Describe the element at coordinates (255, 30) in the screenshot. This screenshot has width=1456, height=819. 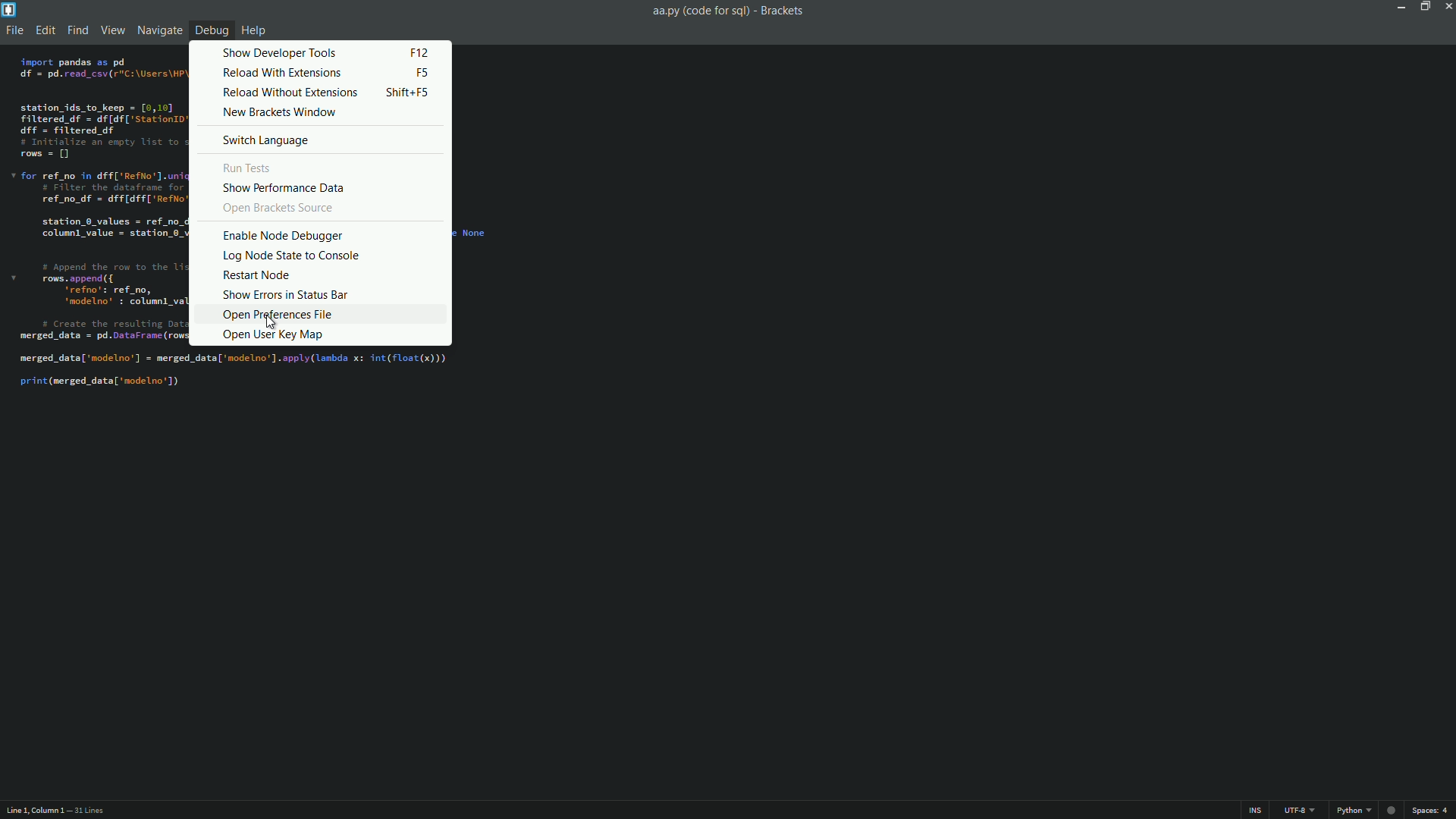
I see `help menu` at that location.